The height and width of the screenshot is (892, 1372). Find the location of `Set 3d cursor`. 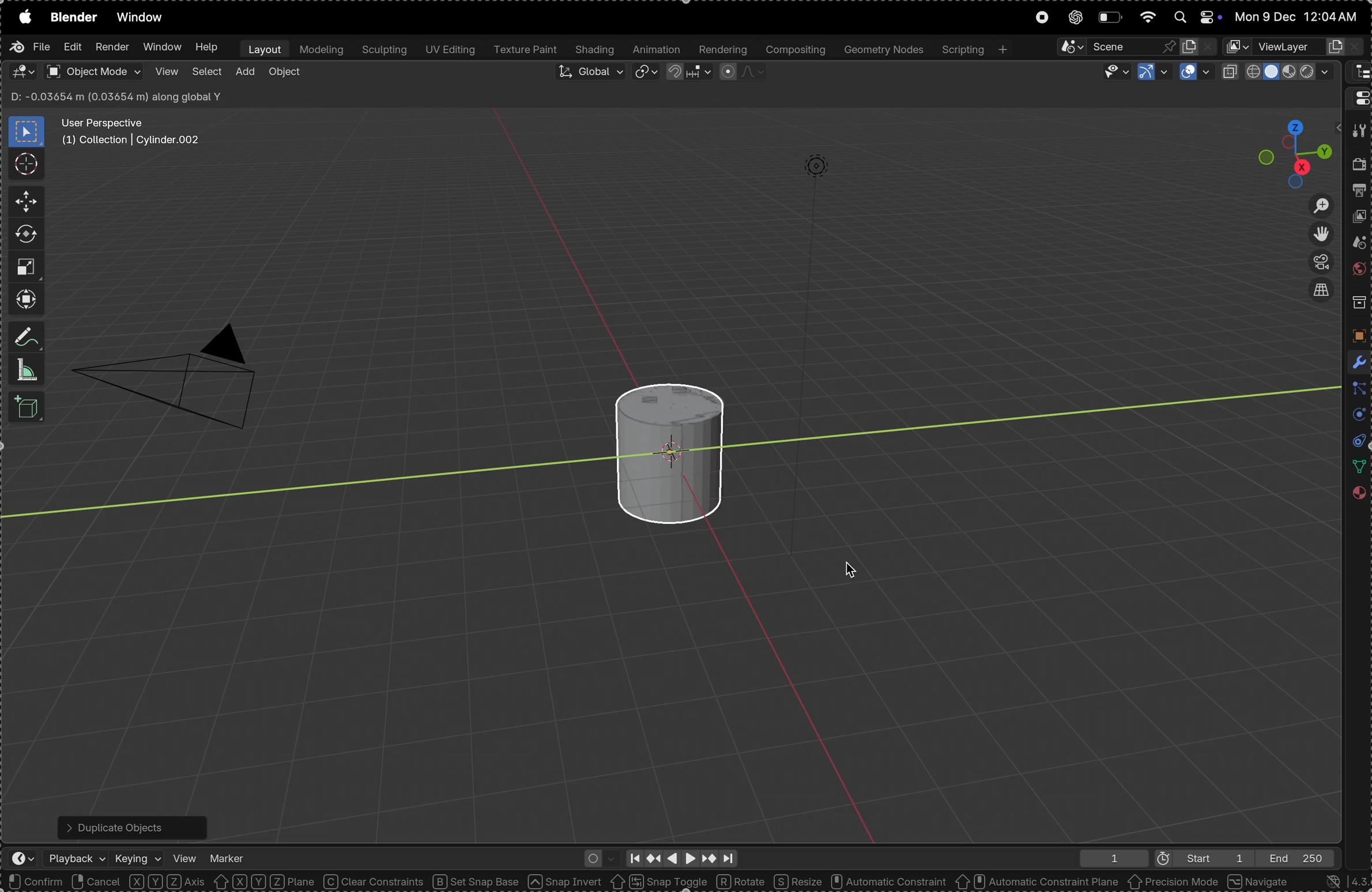

Set 3d cursor is located at coordinates (221, 882).